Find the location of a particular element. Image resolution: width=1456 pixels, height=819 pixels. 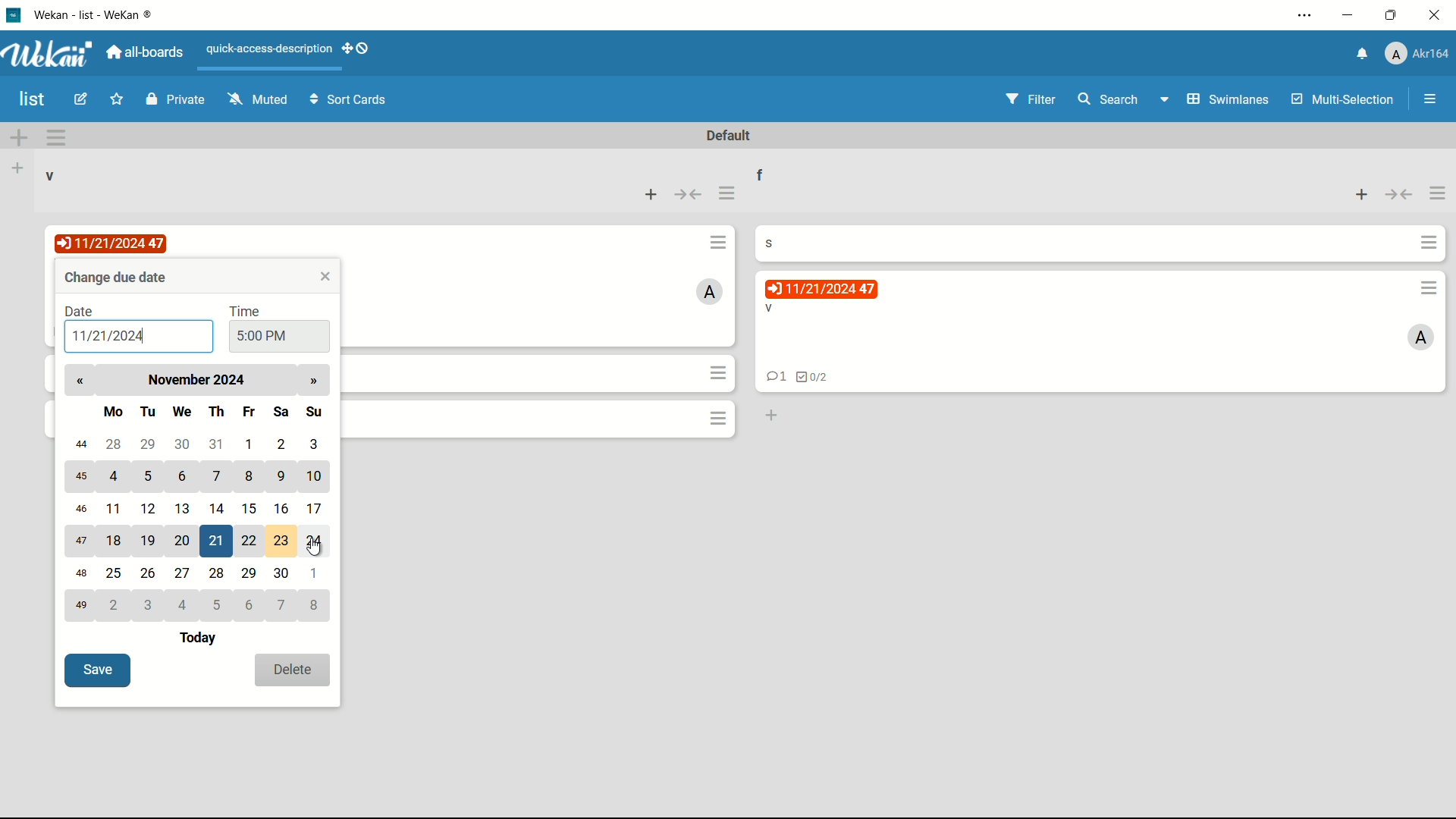

wekan logo is located at coordinates (52, 54).